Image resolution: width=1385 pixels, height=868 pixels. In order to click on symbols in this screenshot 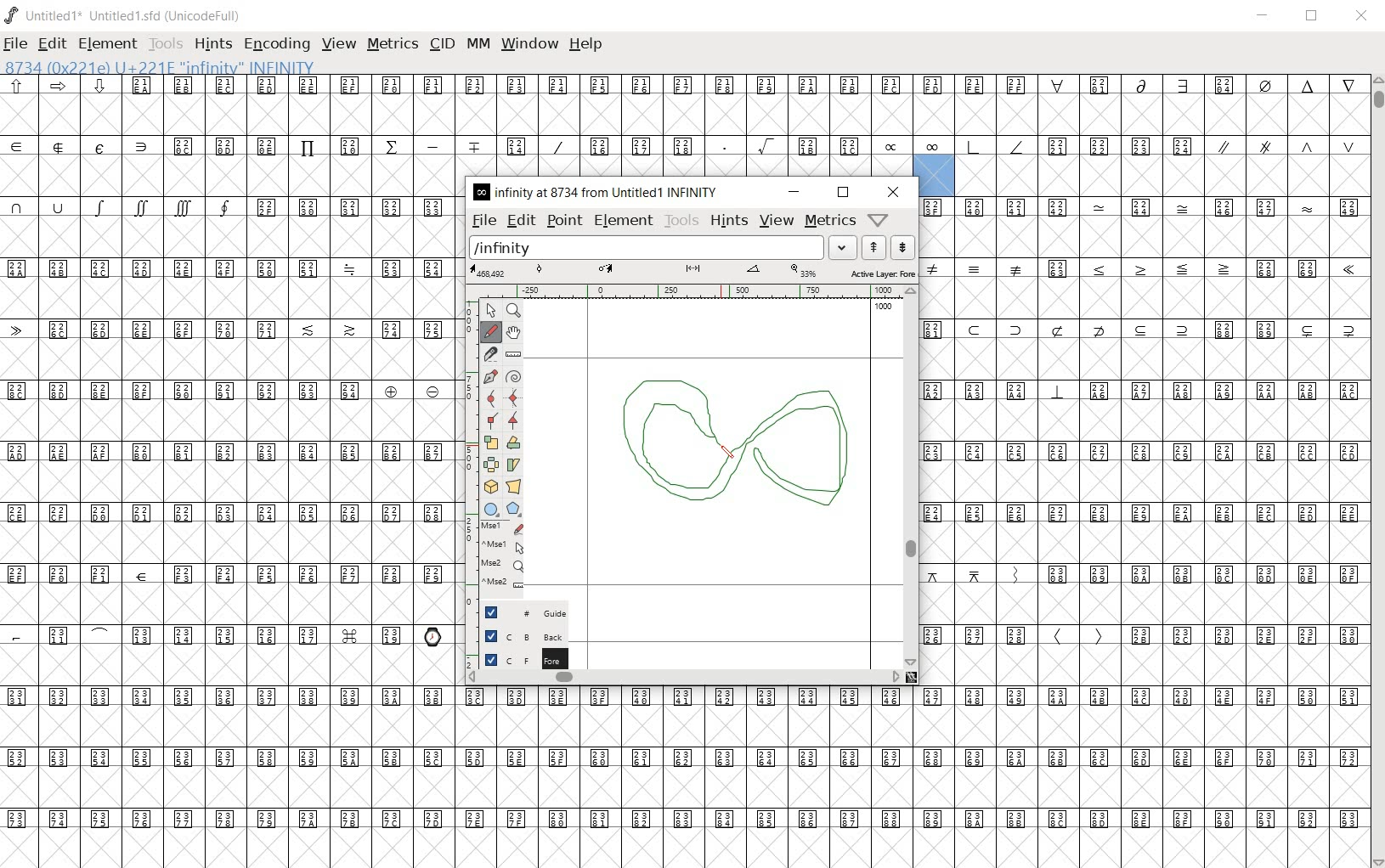, I will do `click(124, 206)`.